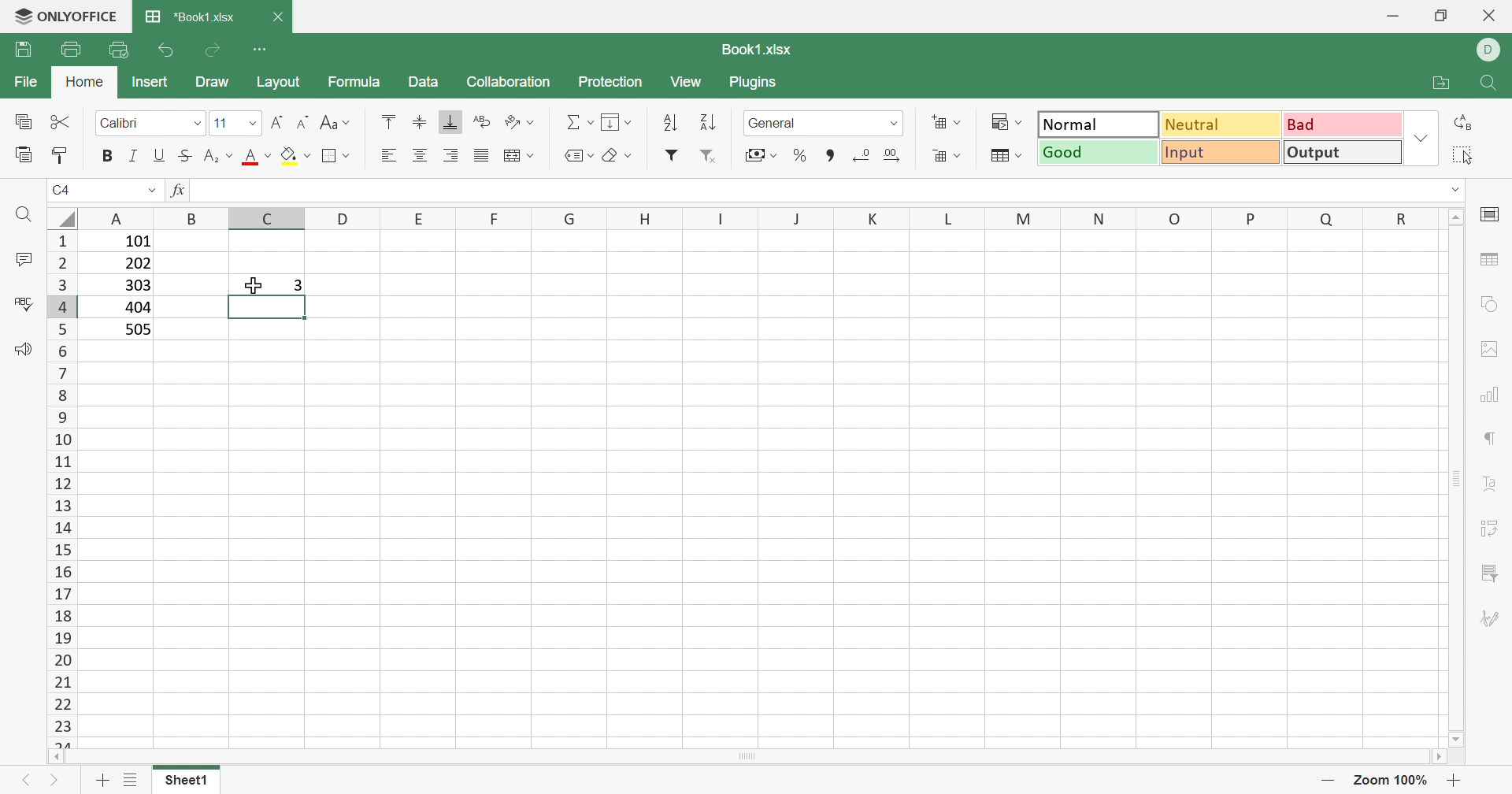  I want to click on 404, so click(136, 307).